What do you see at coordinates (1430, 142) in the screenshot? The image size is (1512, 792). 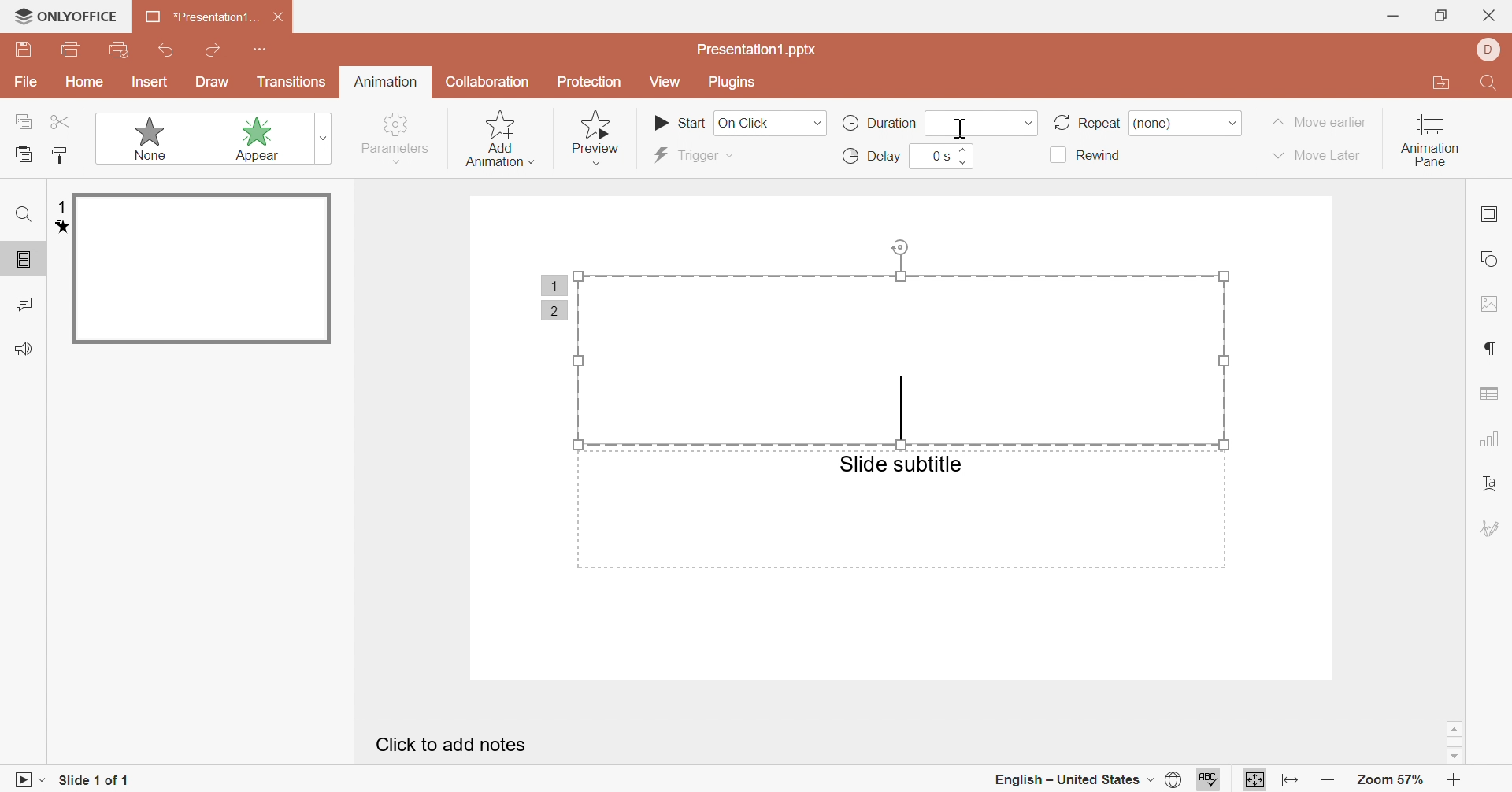 I see `animation pane` at bounding box center [1430, 142].